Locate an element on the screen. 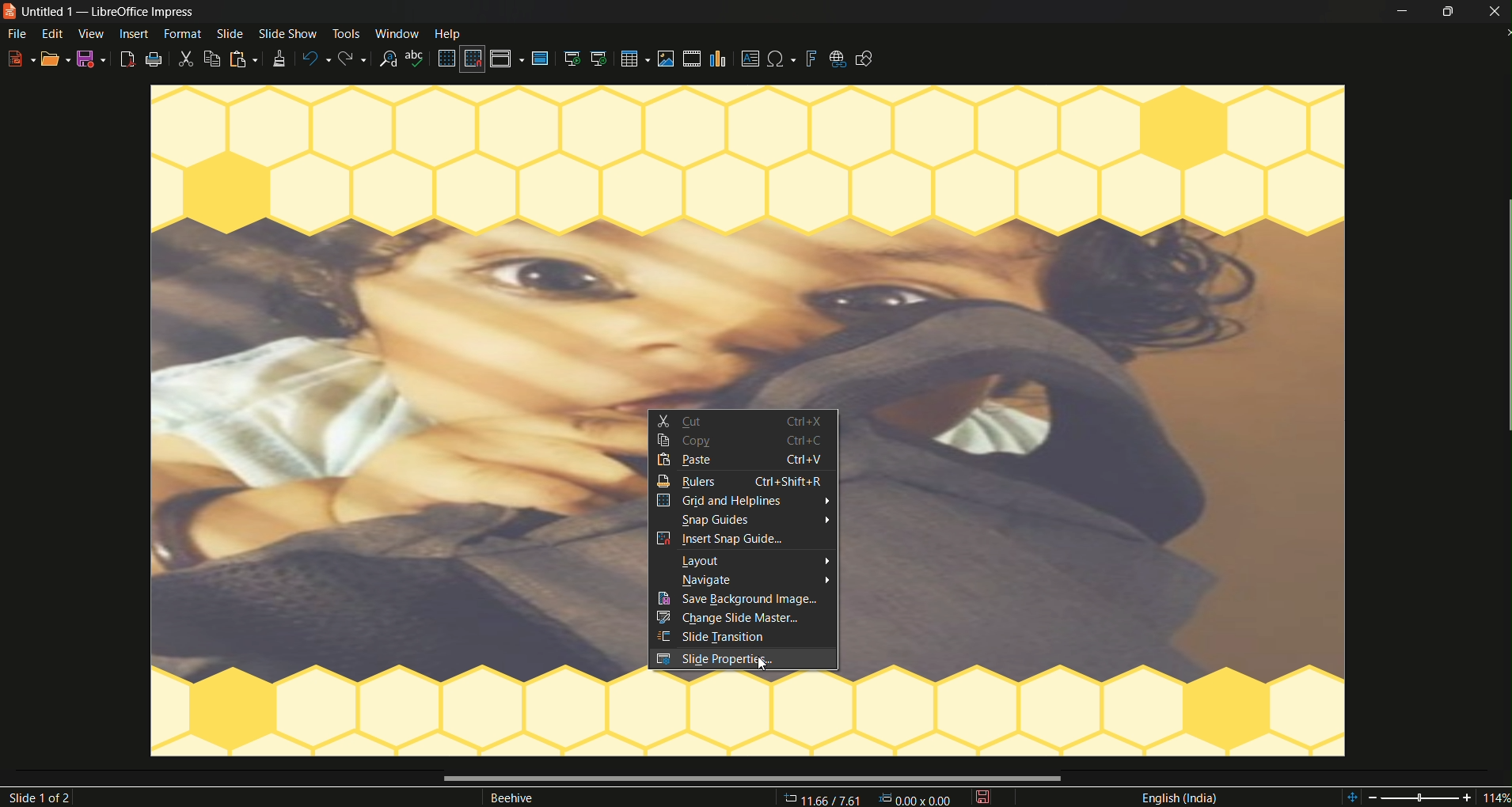 The height and width of the screenshot is (807, 1512). grid and helplines is located at coordinates (721, 501).